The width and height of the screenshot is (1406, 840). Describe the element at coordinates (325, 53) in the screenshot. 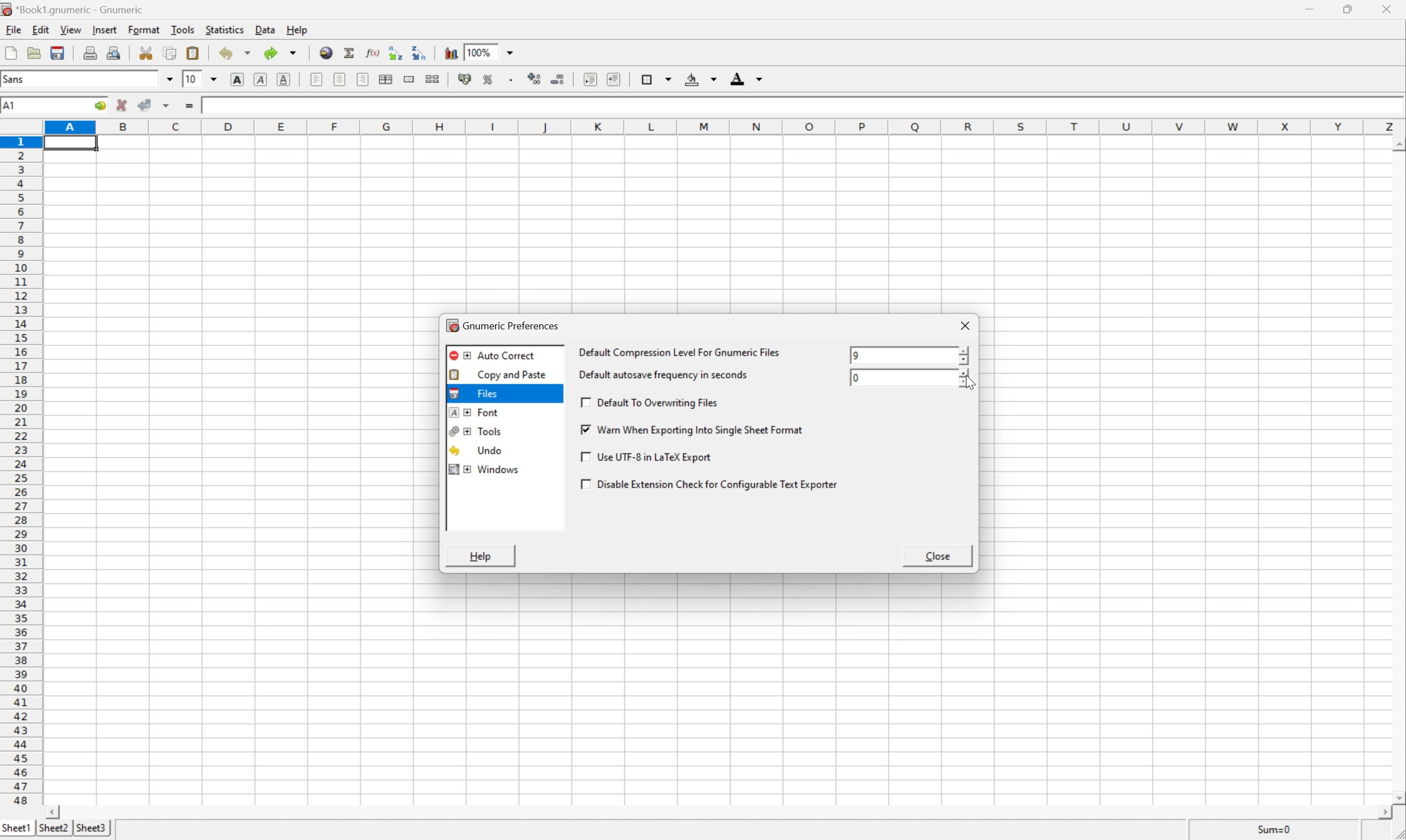

I see `insert hyperlink` at that location.